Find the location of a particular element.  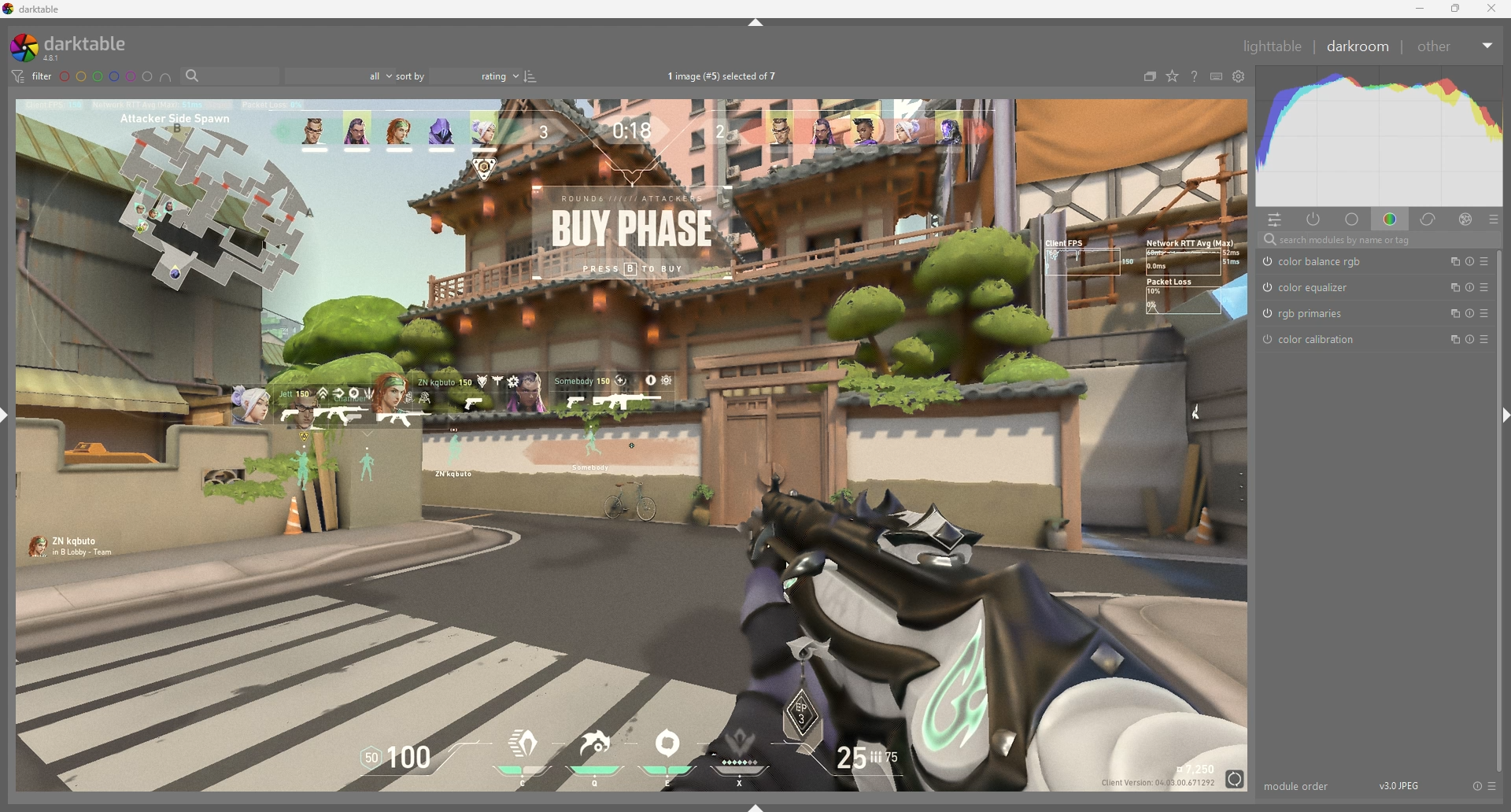

presets is located at coordinates (1485, 312).